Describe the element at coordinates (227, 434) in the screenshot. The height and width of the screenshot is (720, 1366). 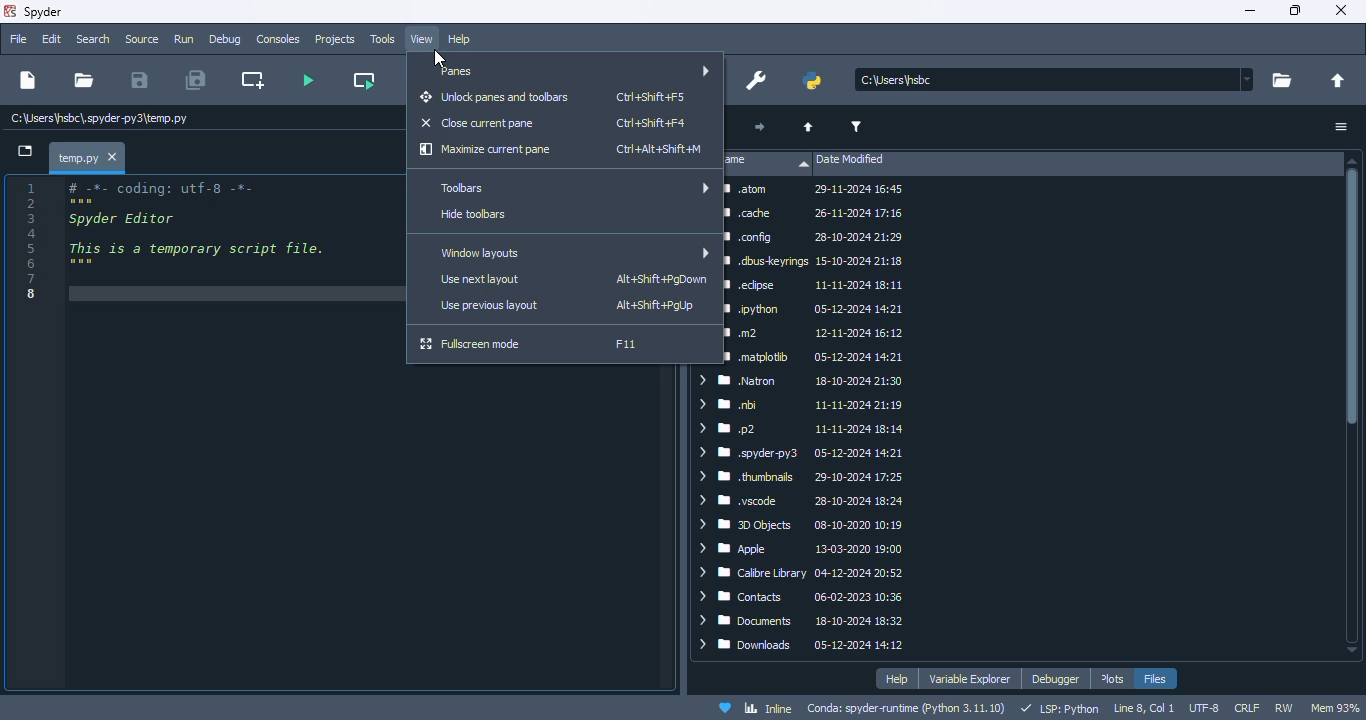
I see `editor` at that location.